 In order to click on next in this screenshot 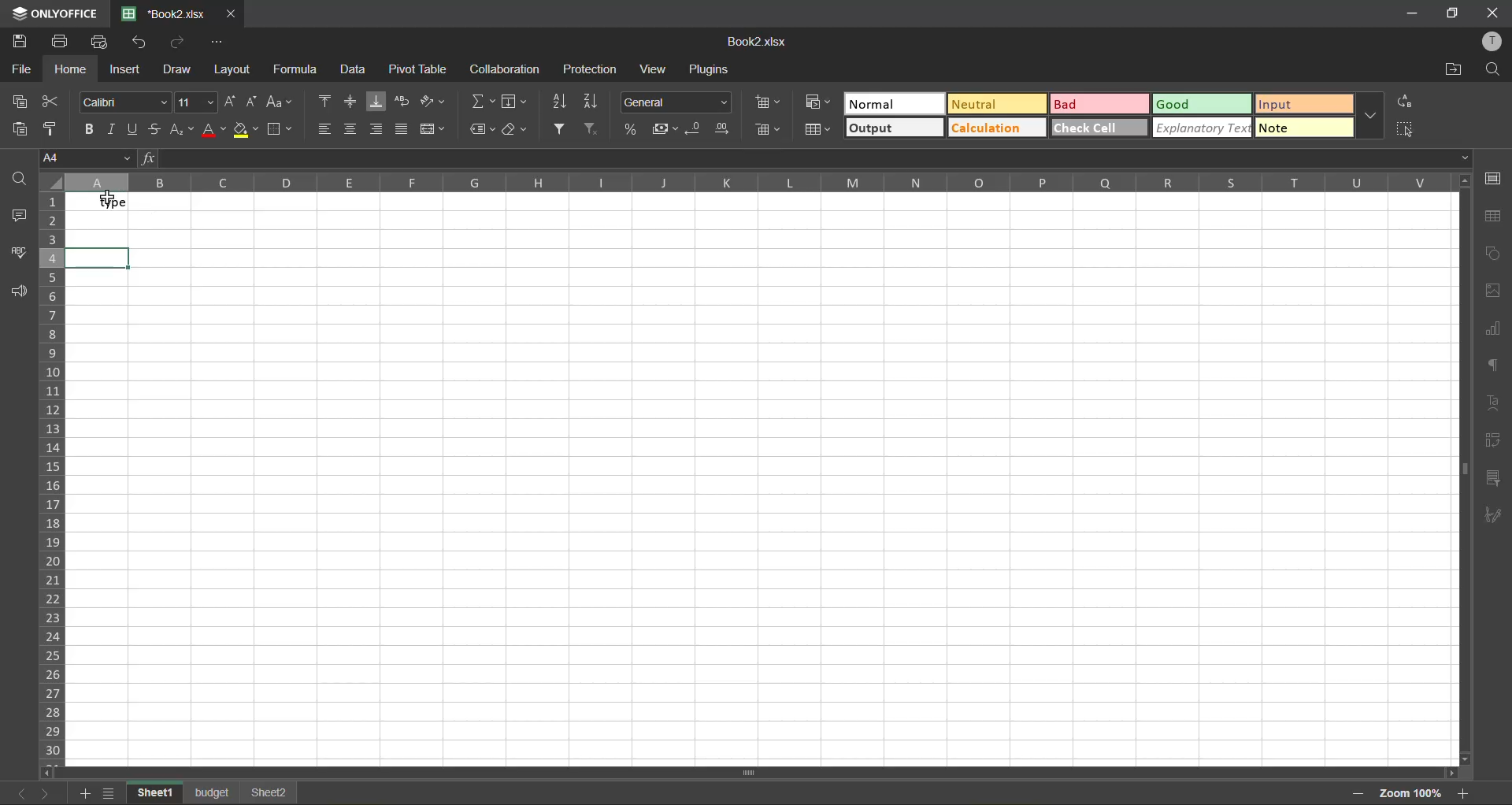, I will do `click(46, 792)`.